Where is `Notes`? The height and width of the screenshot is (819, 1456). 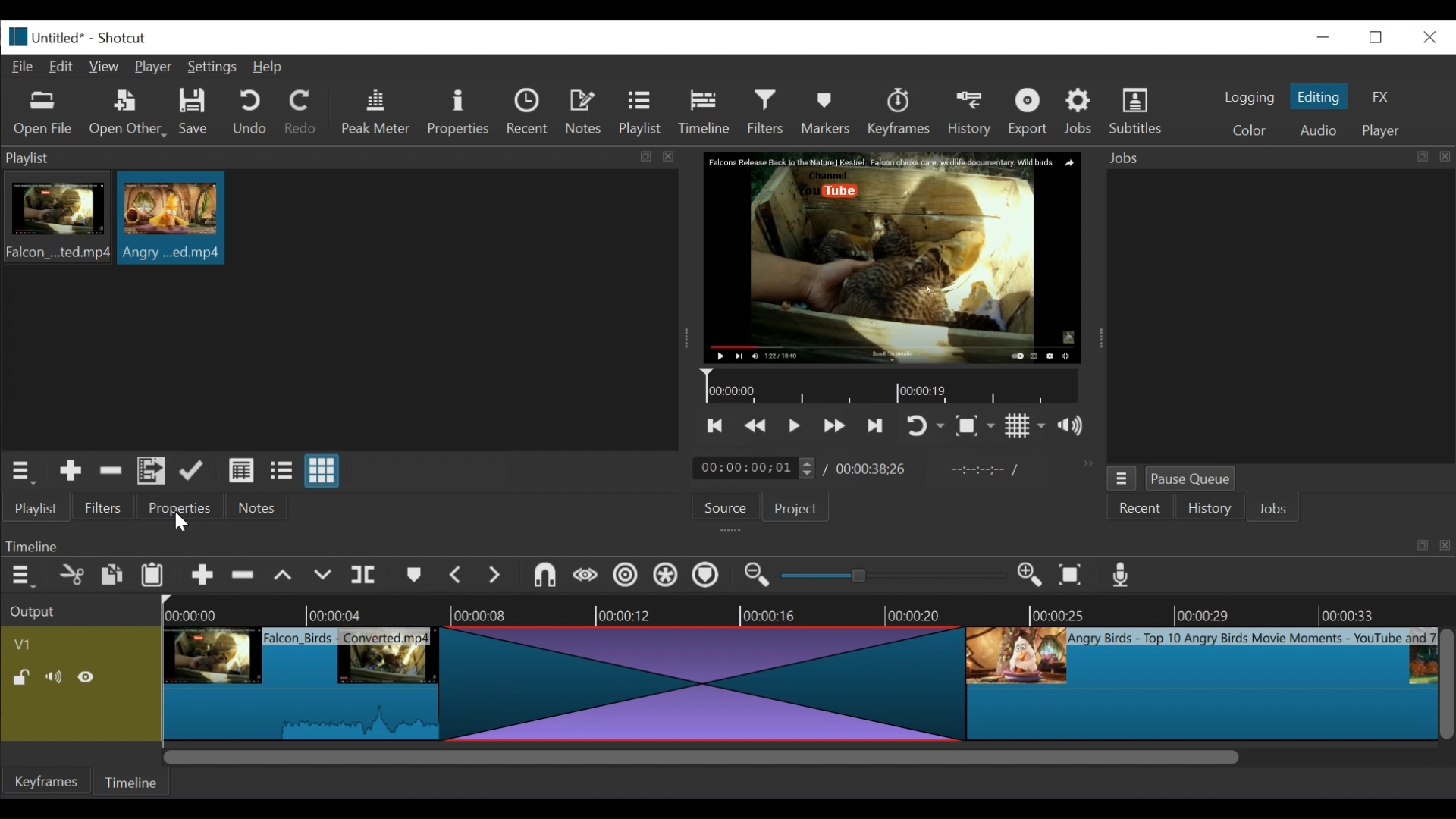
Notes is located at coordinates (586, 112).